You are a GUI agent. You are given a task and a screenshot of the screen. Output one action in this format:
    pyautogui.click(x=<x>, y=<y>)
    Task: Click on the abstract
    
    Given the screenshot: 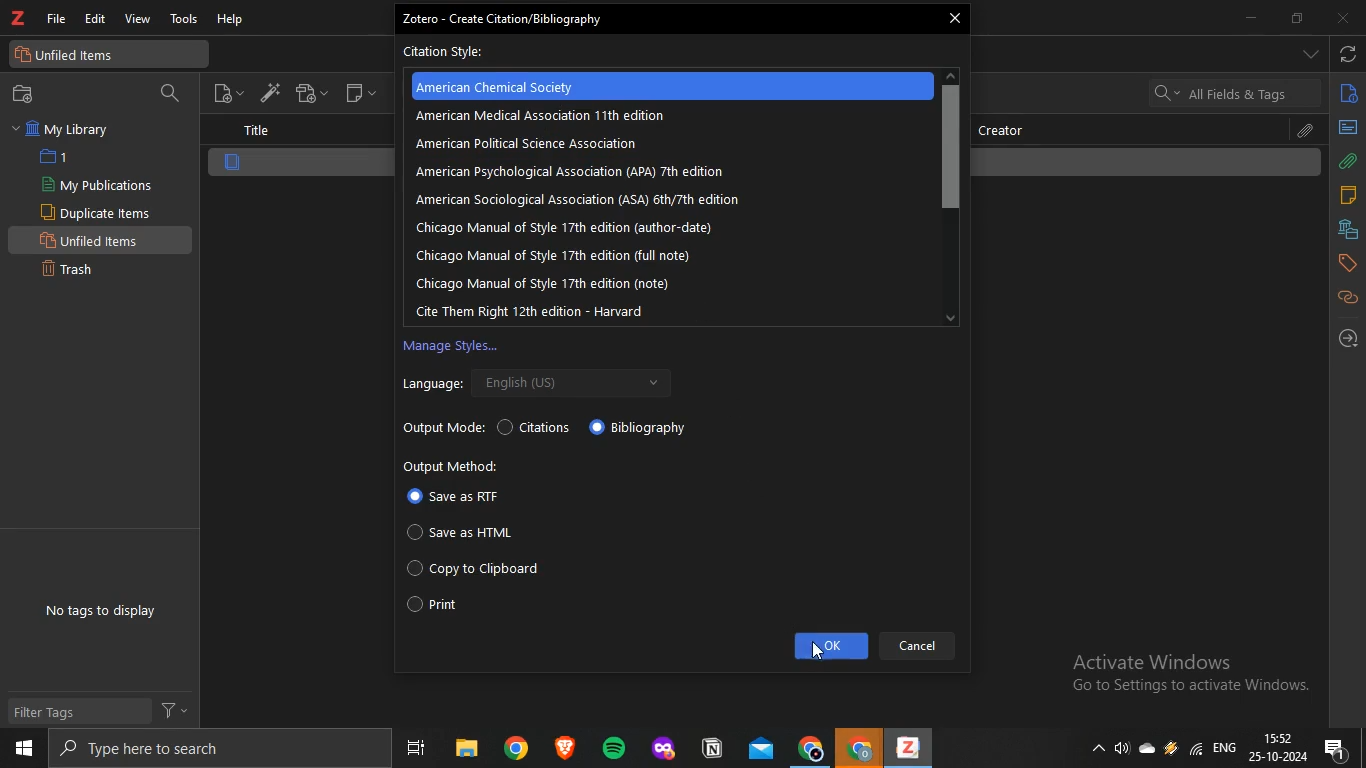 What is the action you would take?
    pyautogui.click(x=1347, y=127)
    